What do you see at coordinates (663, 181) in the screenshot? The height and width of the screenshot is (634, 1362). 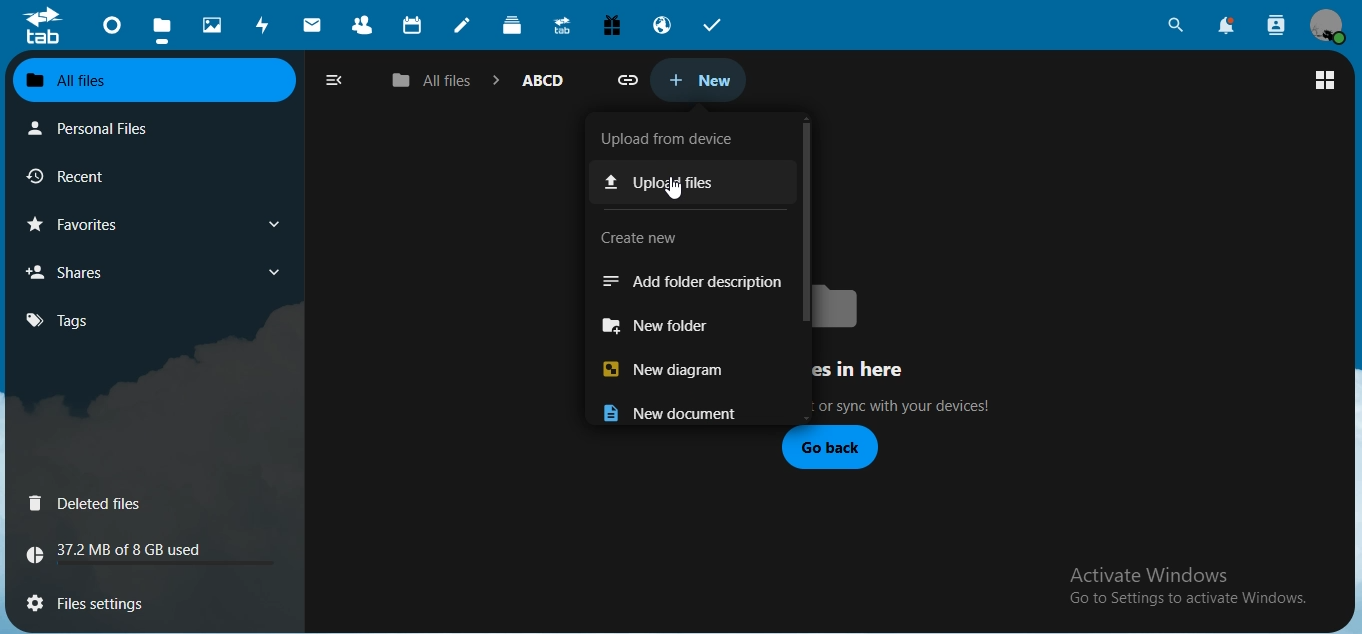 I see `upload files` at bounding box center [663, 181].